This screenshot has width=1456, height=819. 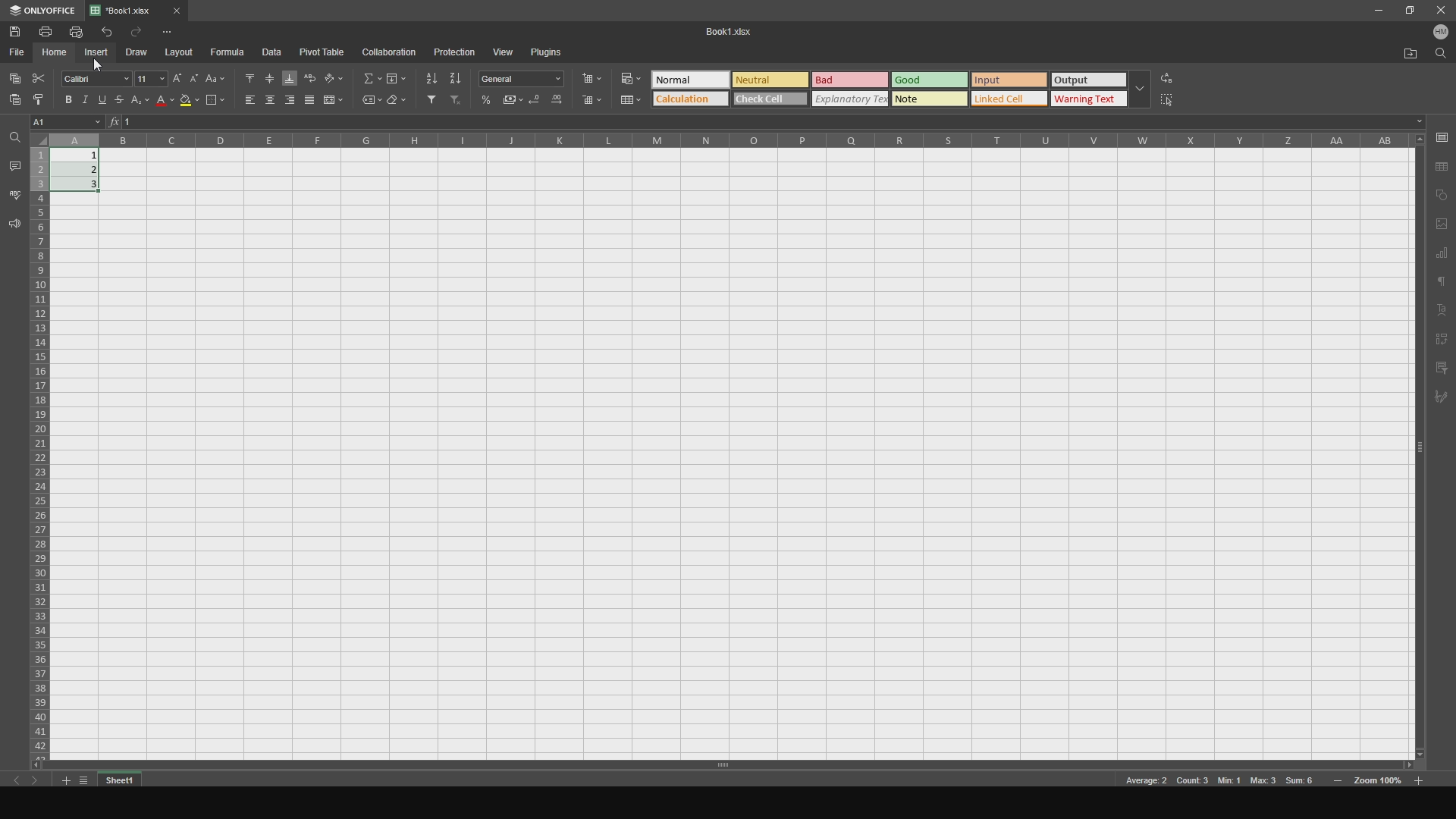 What do you see at coordinates (1420, 459) in the screenshot?
I see `vertical slider` at bounding box center [1420, 459].